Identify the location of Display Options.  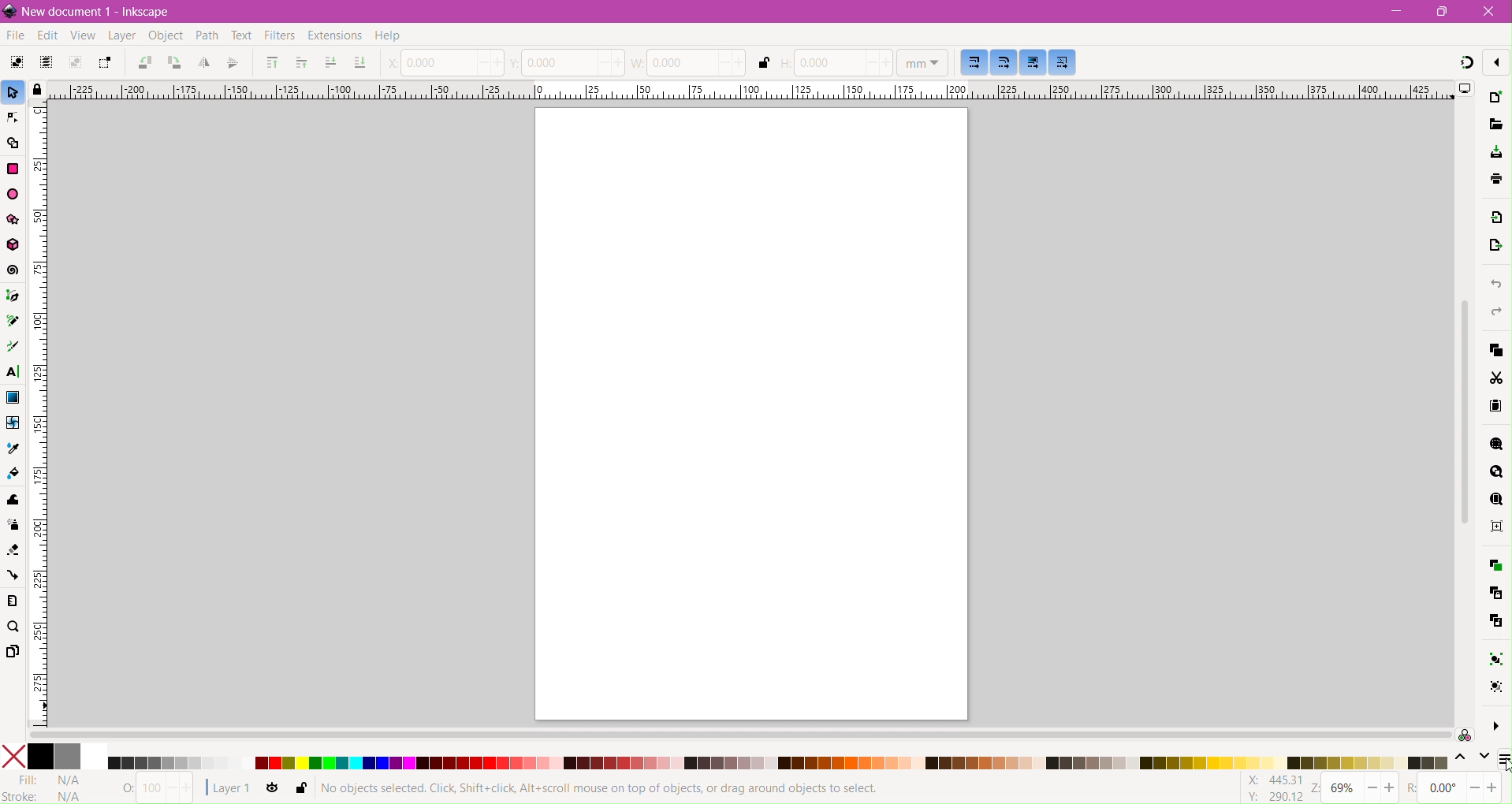
(1465, 90).